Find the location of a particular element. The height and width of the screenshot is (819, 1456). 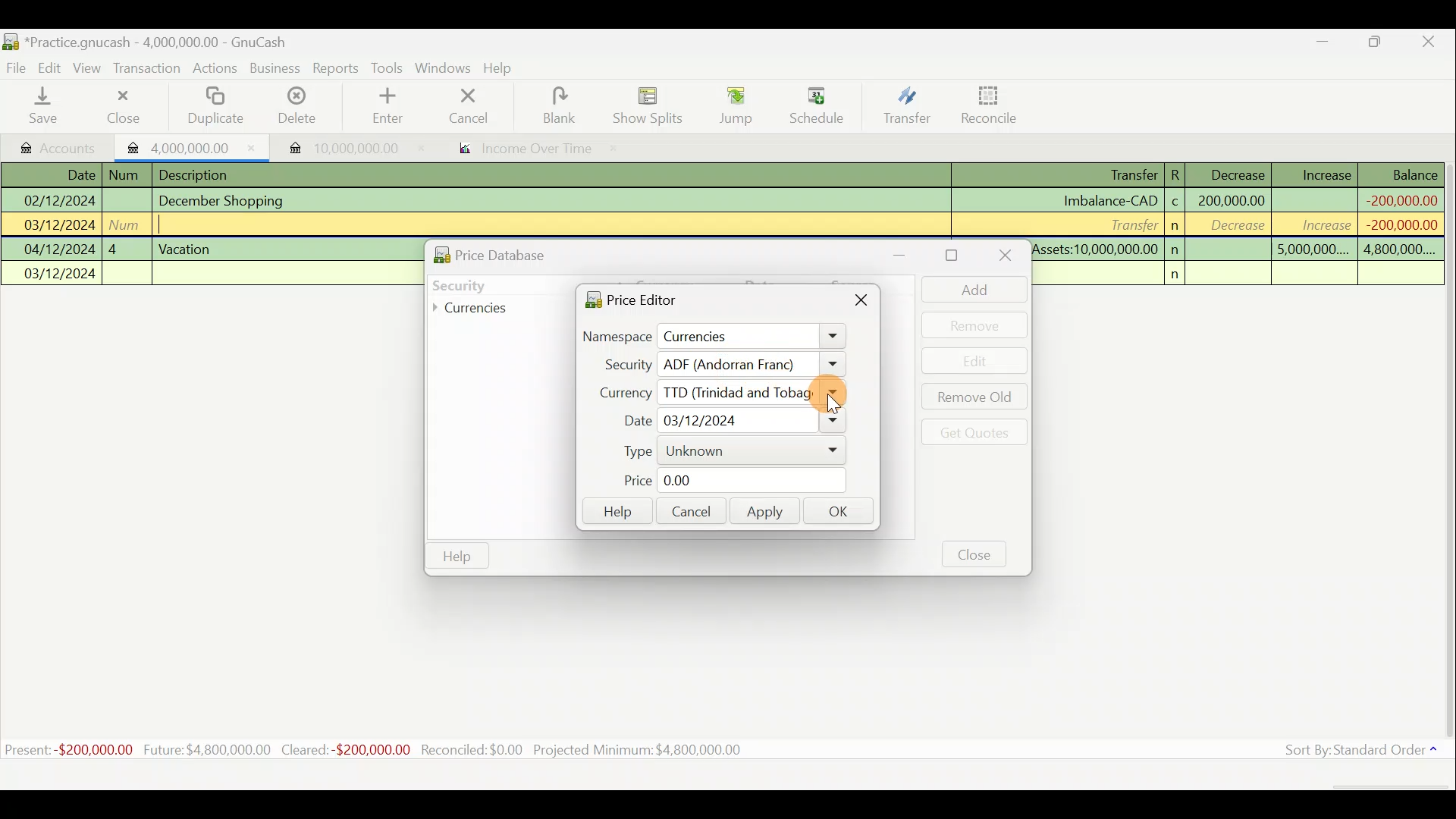

Description is located at coordinates (199, 173).